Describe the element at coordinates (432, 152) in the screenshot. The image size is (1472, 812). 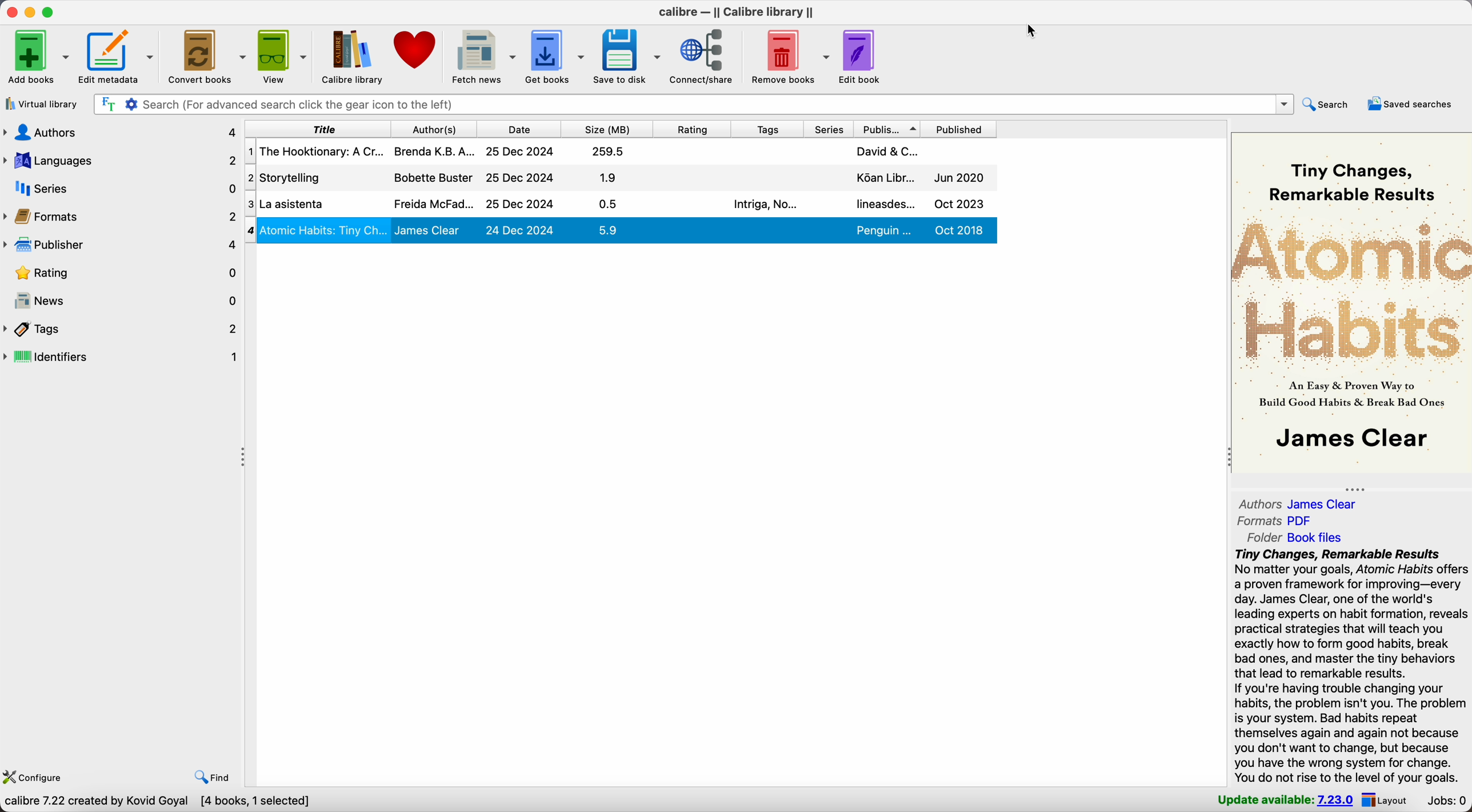
I see `brenda K.B.A...` at that location.